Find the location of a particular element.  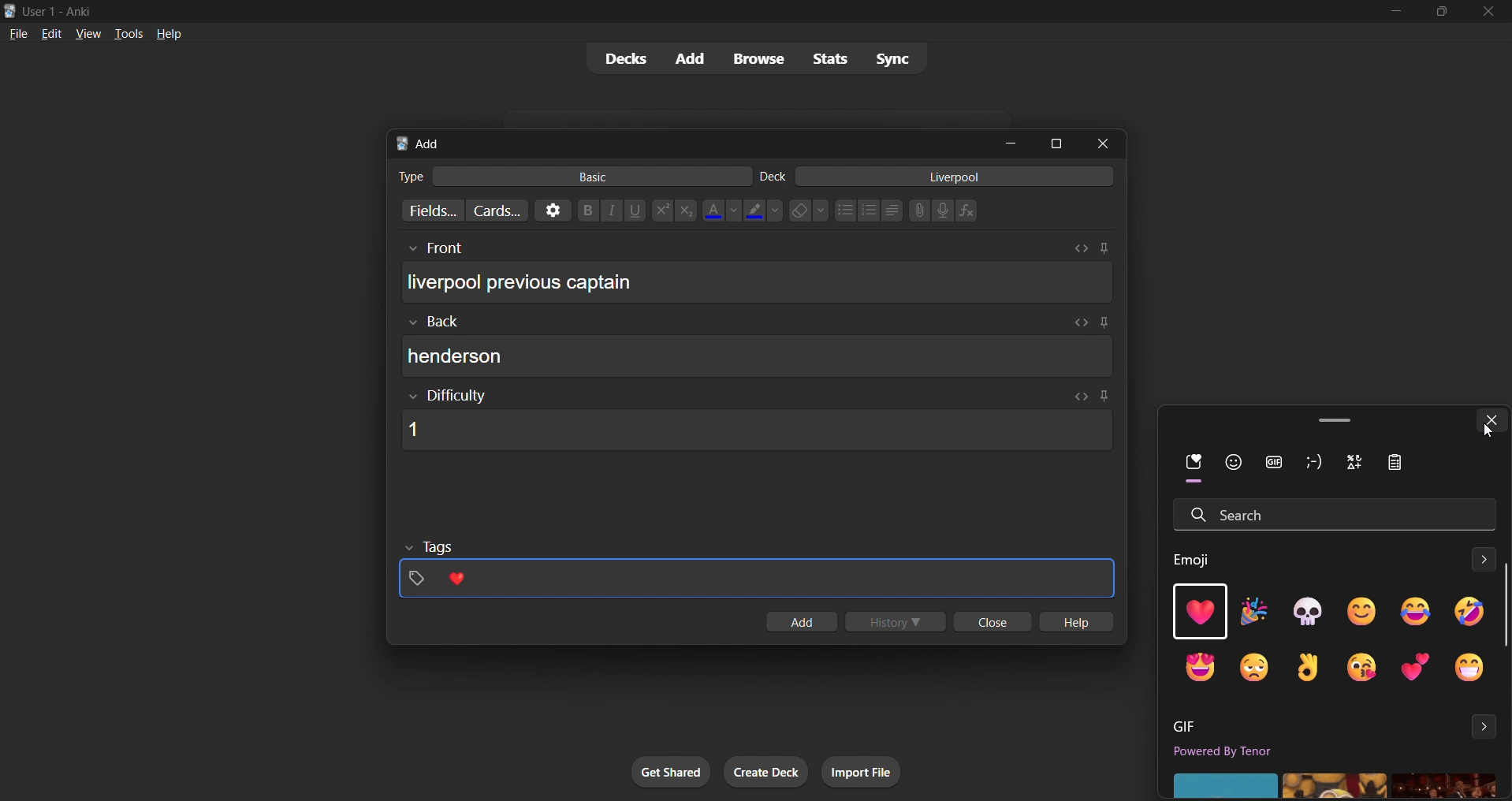

add is located at coordinates (799, 623).